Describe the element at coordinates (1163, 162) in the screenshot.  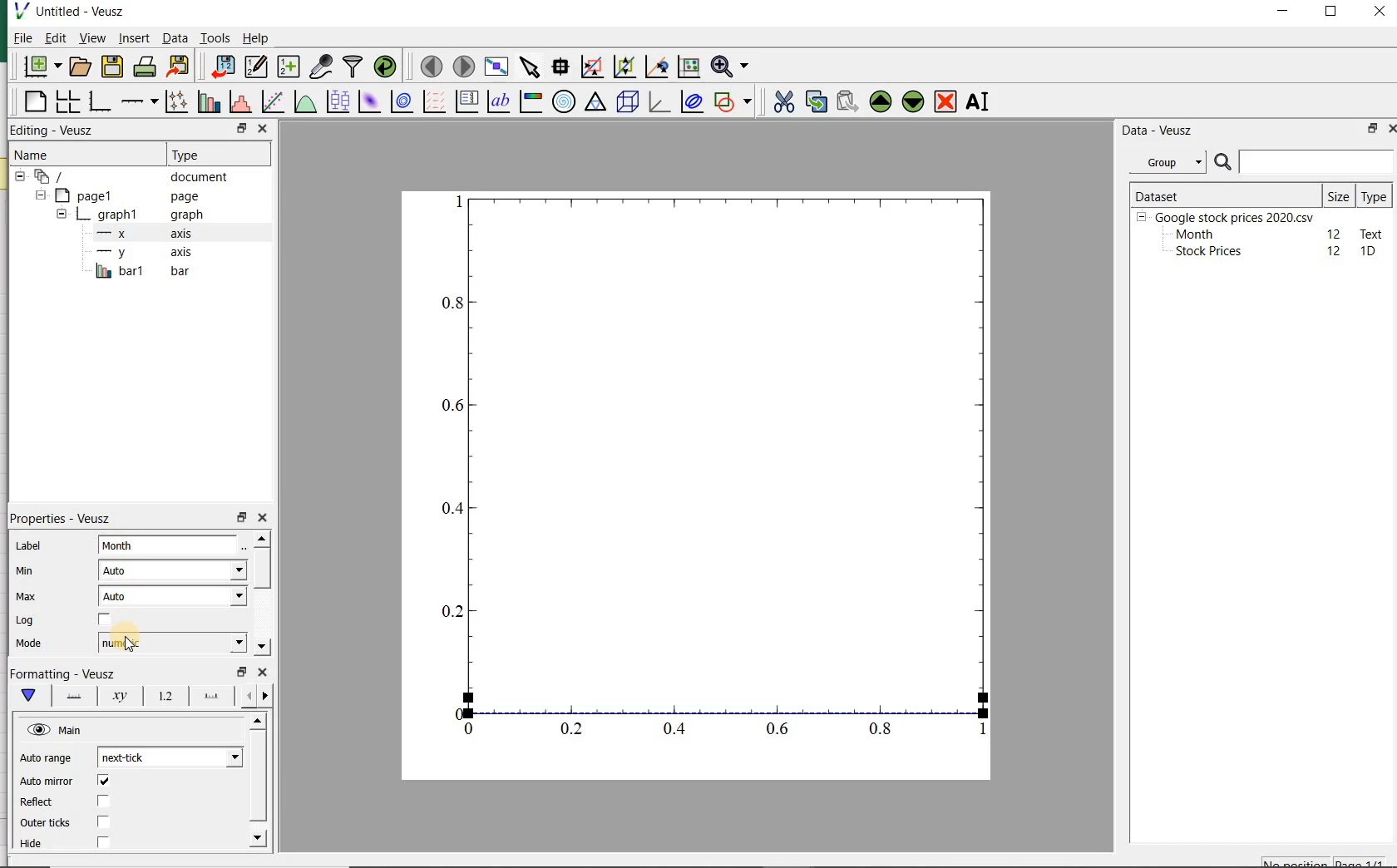
I see `Group datasets with property given` at that location.